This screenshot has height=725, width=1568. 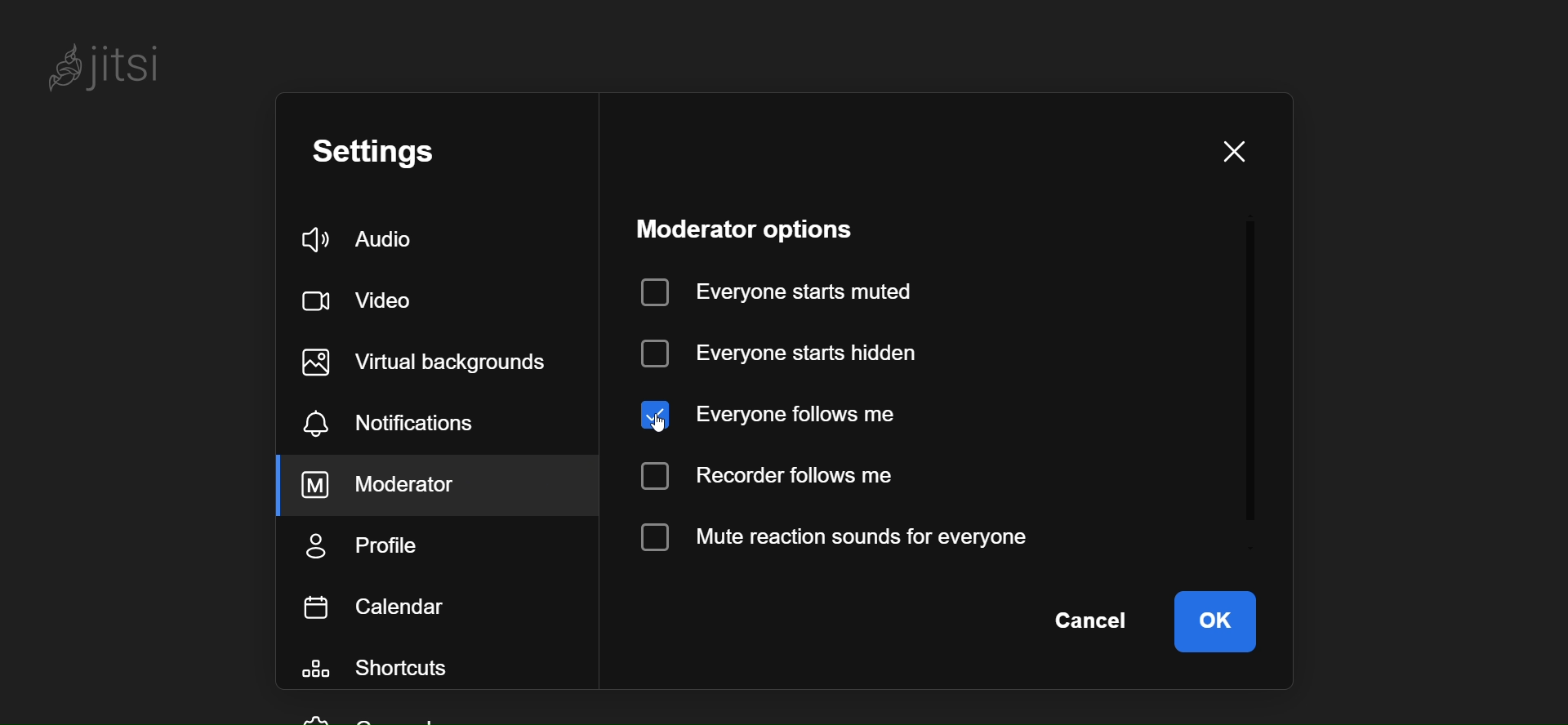 I want to click on setting, so click(x=394, y=153).